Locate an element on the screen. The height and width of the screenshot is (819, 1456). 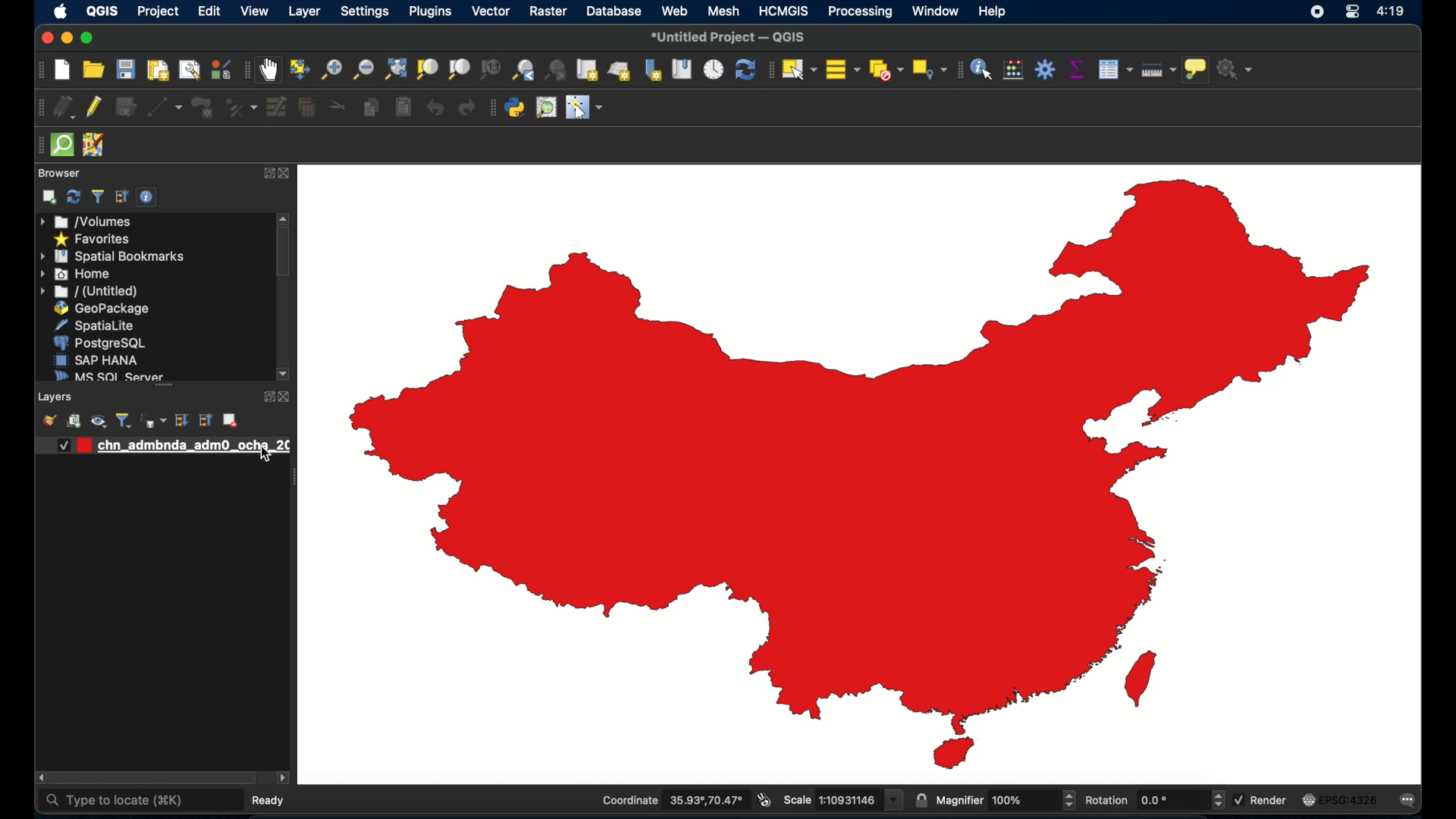
attributes toolbar is located at coordinates (957, 71).